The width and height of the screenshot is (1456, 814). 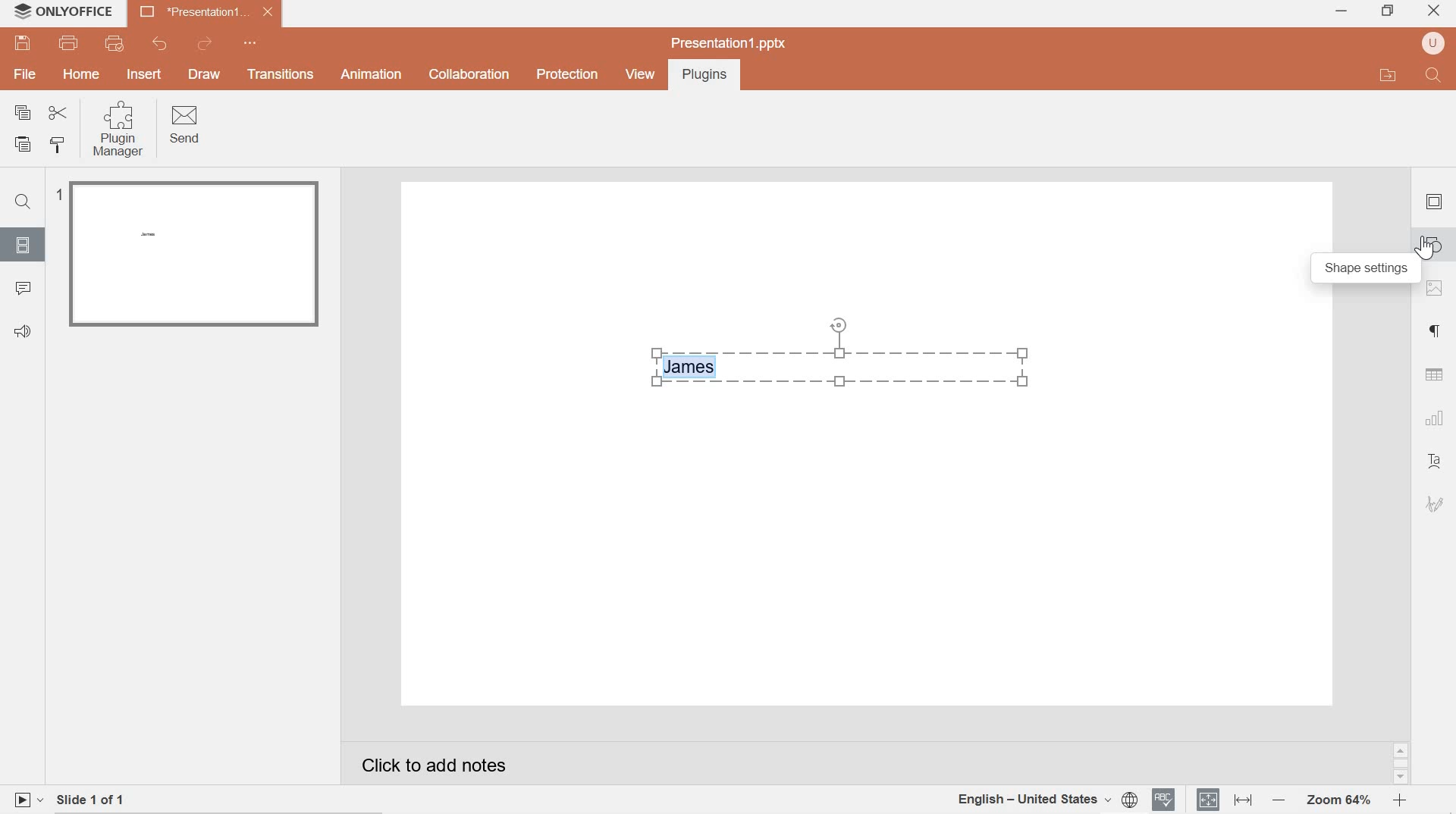 What do you see at coordinates (639, 74) in the screenshot?
I see `view` at bounding box center [639, 74].